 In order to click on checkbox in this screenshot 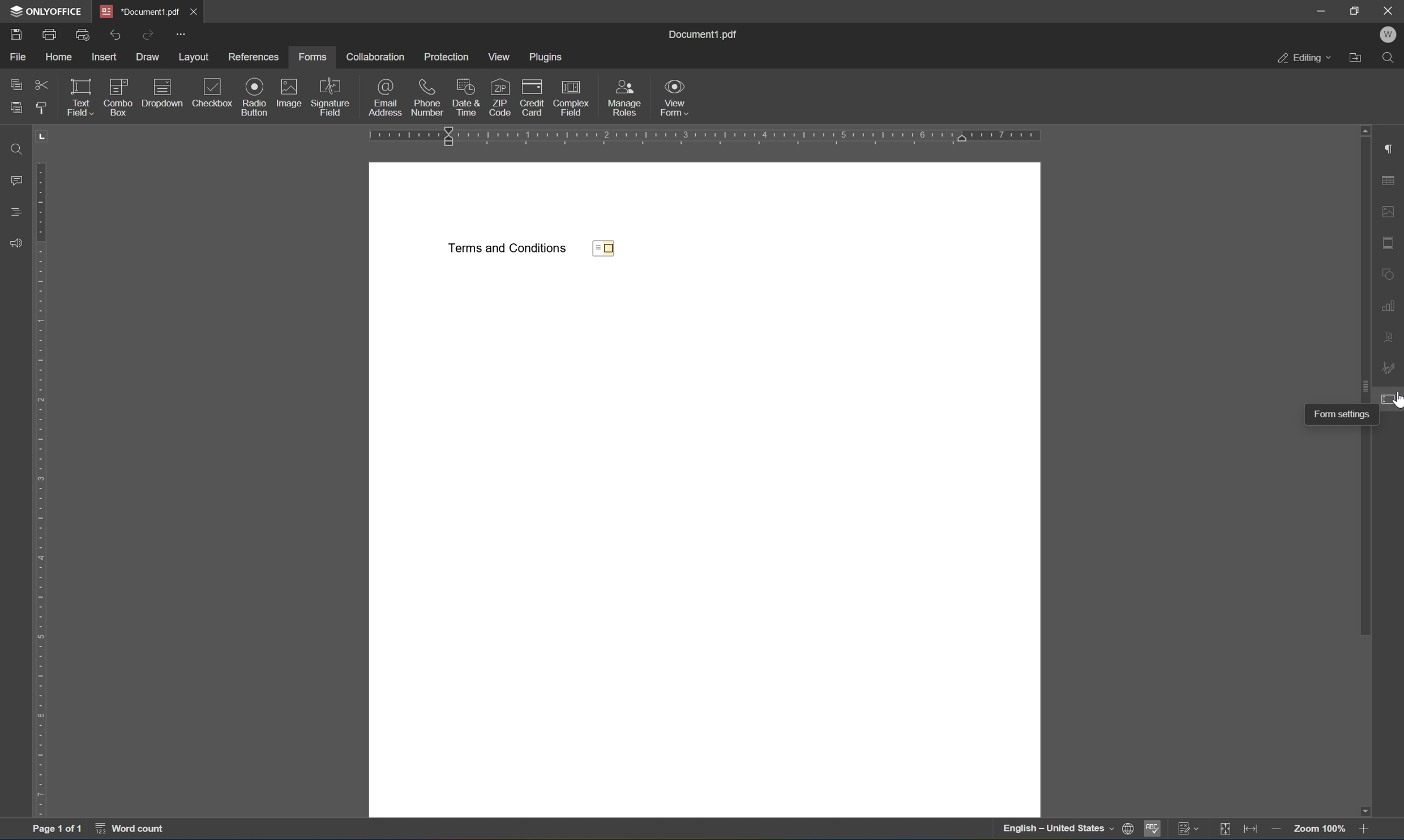, I will do `click(205, 93)`.